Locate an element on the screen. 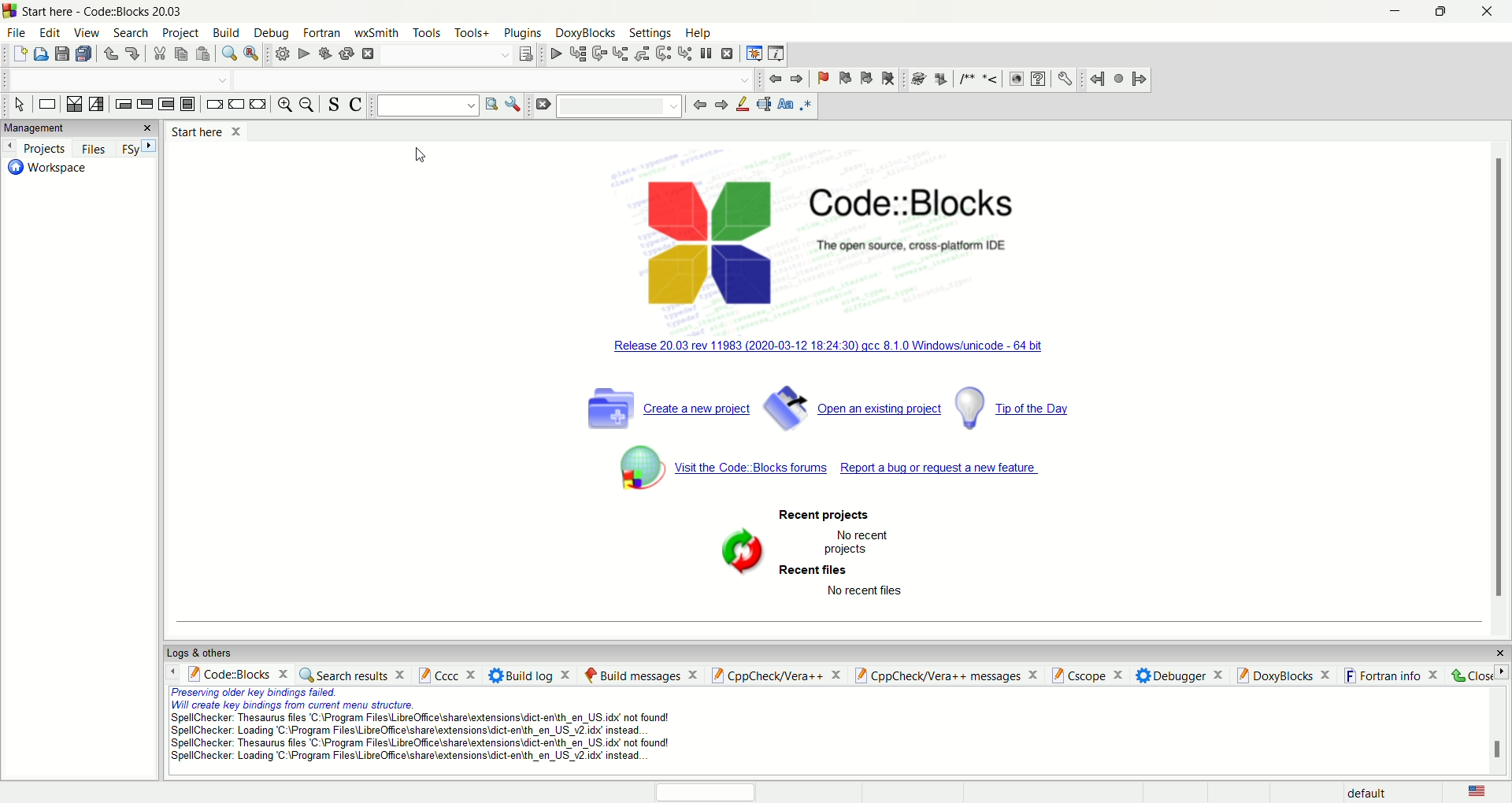 Image resolution: width=1512 pixels, height=803 pixels. paste is located at coordinates (203, 54).